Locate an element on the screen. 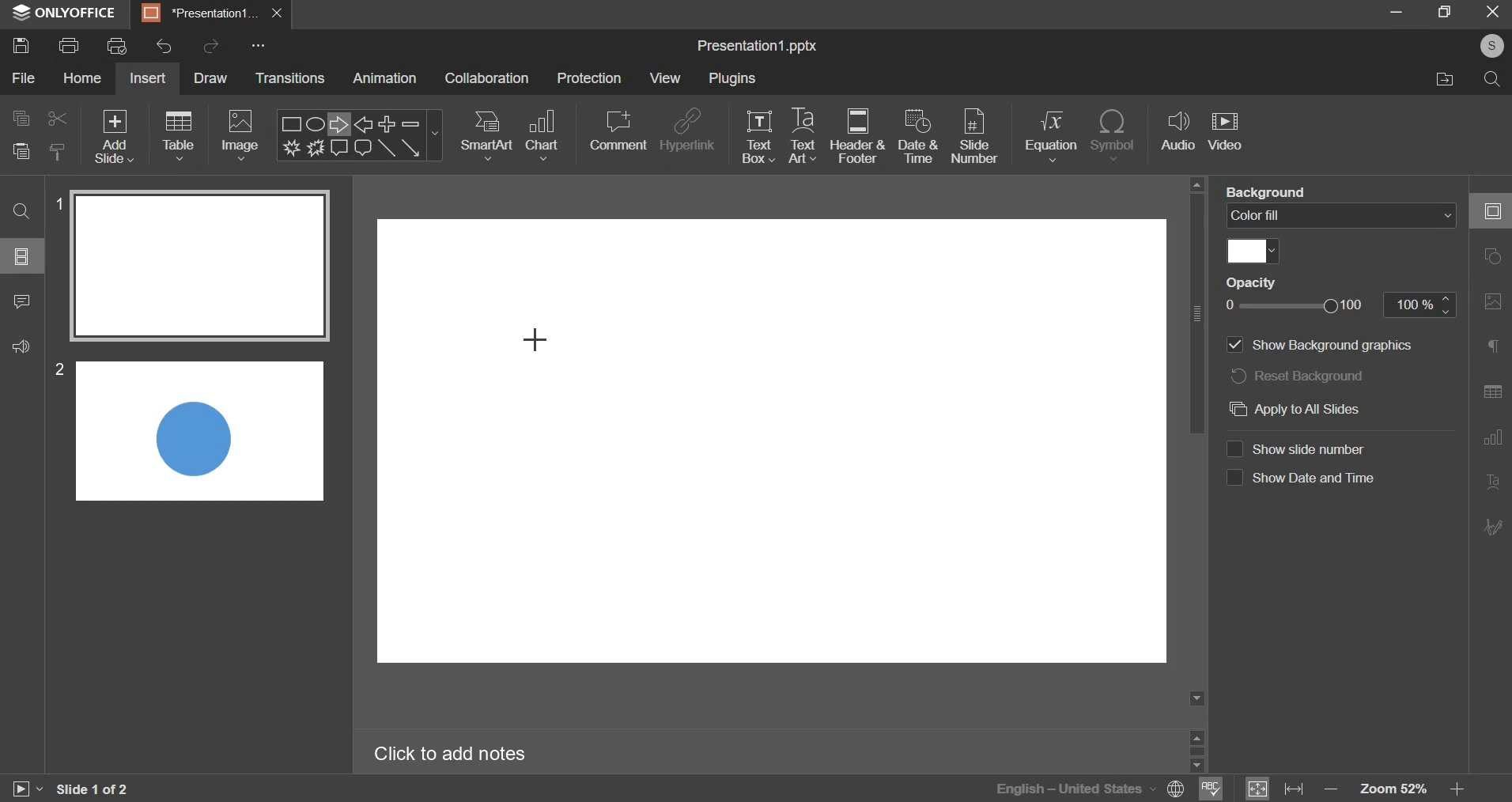  fit to slide is located at coordinates (1259, 789).